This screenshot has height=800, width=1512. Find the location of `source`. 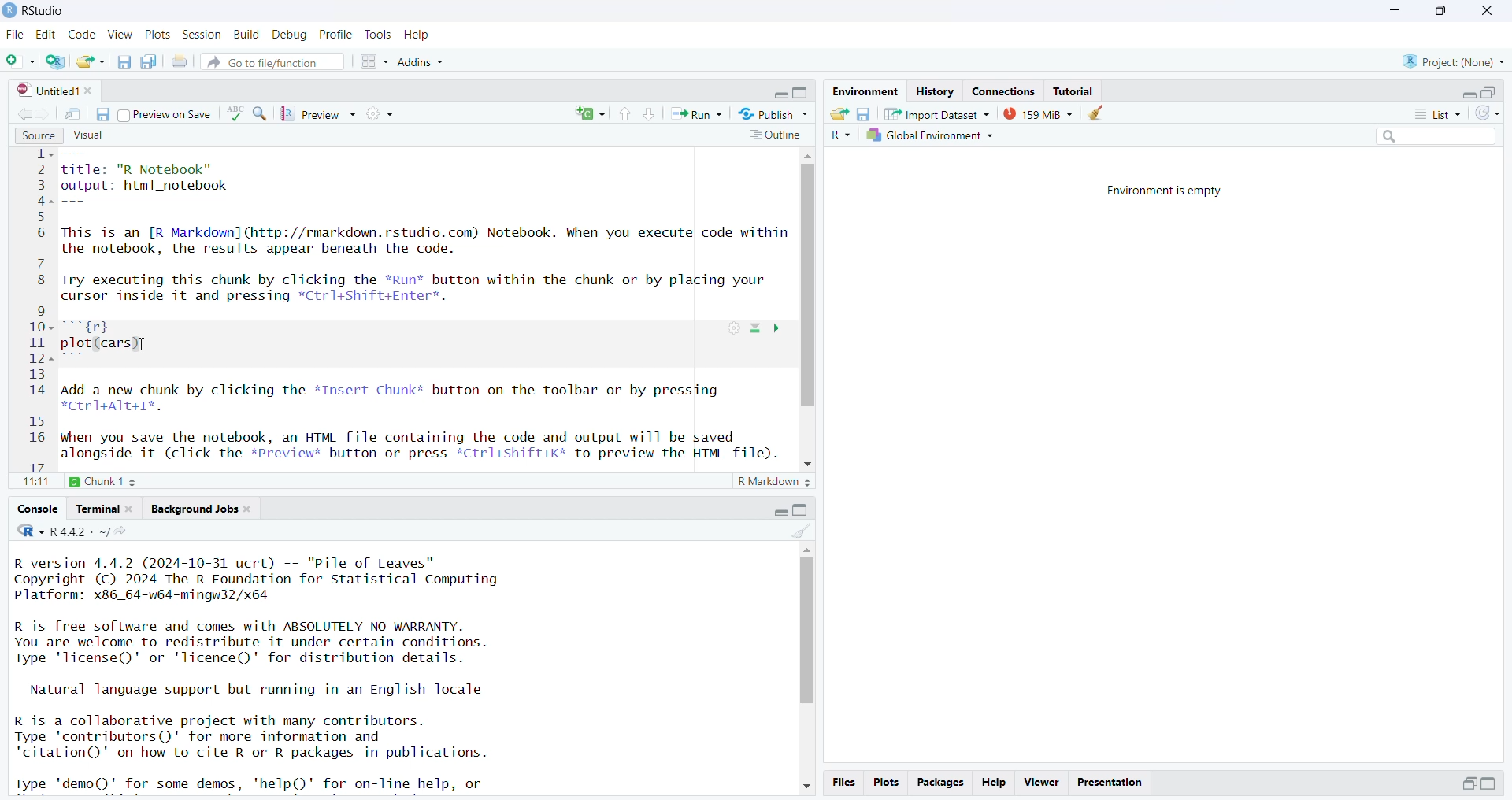

source is located at coordinates (426, 307).